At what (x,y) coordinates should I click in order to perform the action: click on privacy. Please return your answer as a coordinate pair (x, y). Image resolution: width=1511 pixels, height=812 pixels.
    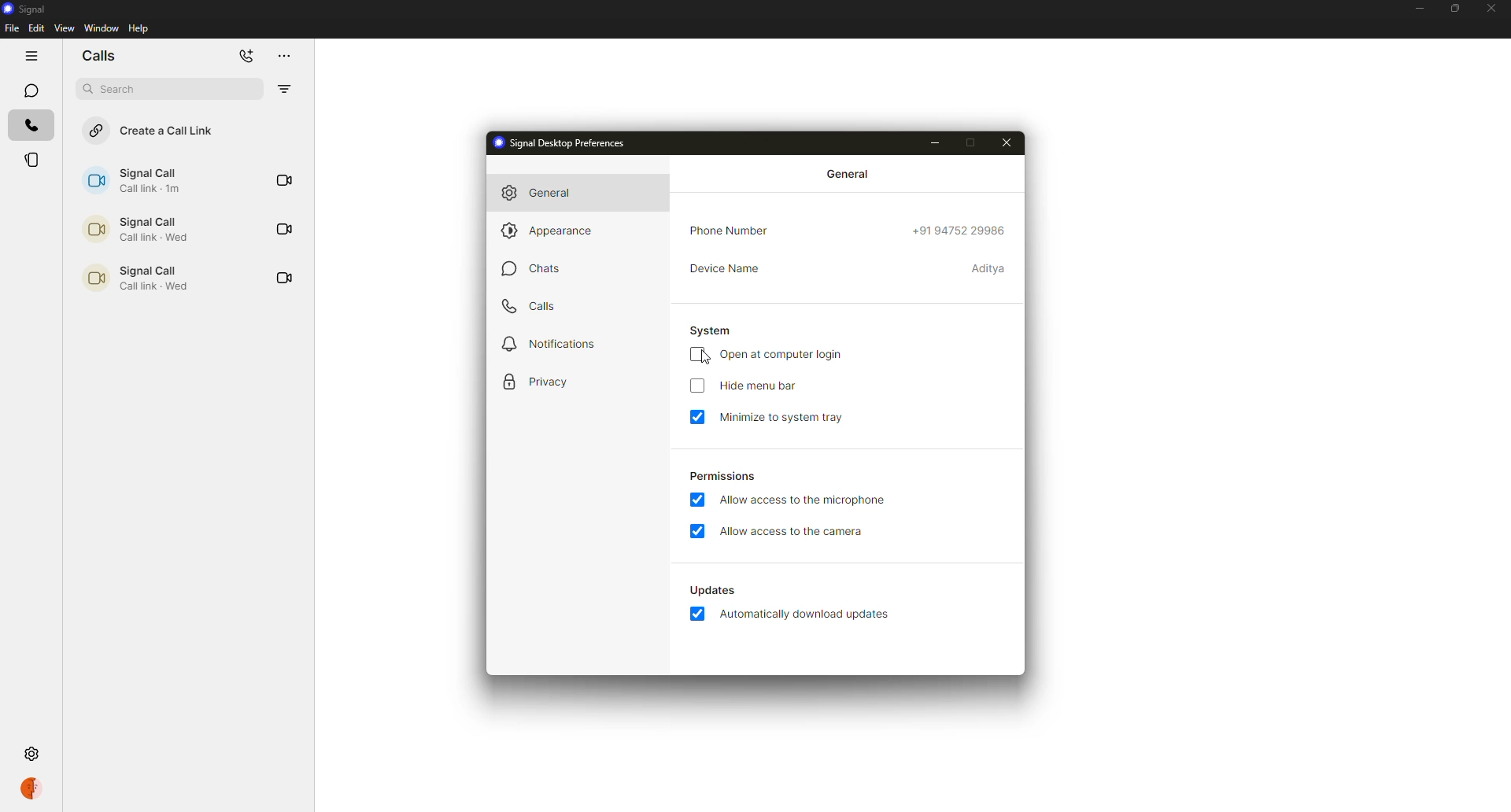
    Looking at the image, I should click on (540, 381).